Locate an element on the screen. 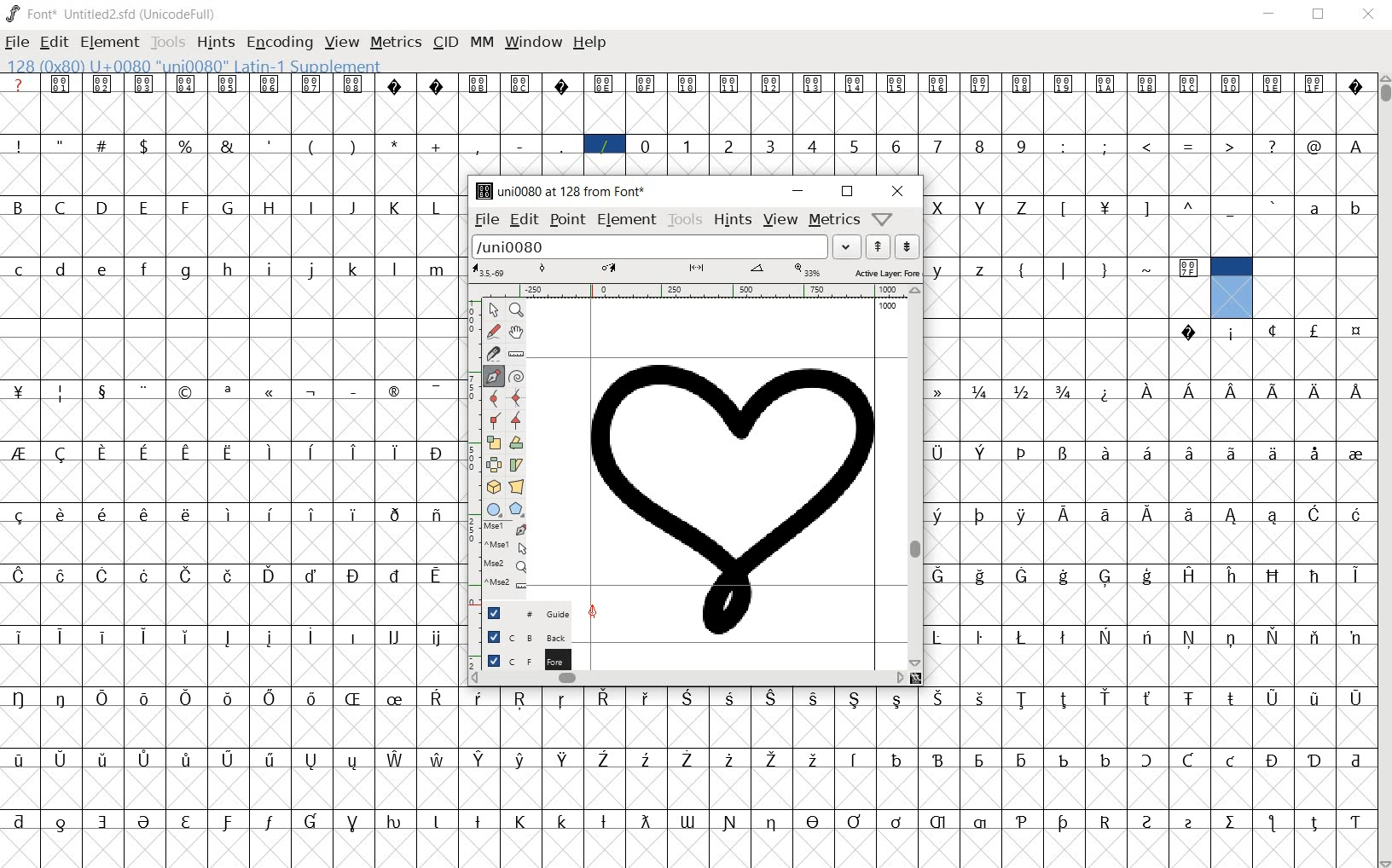  glyph is located at coordinates (979, 84).